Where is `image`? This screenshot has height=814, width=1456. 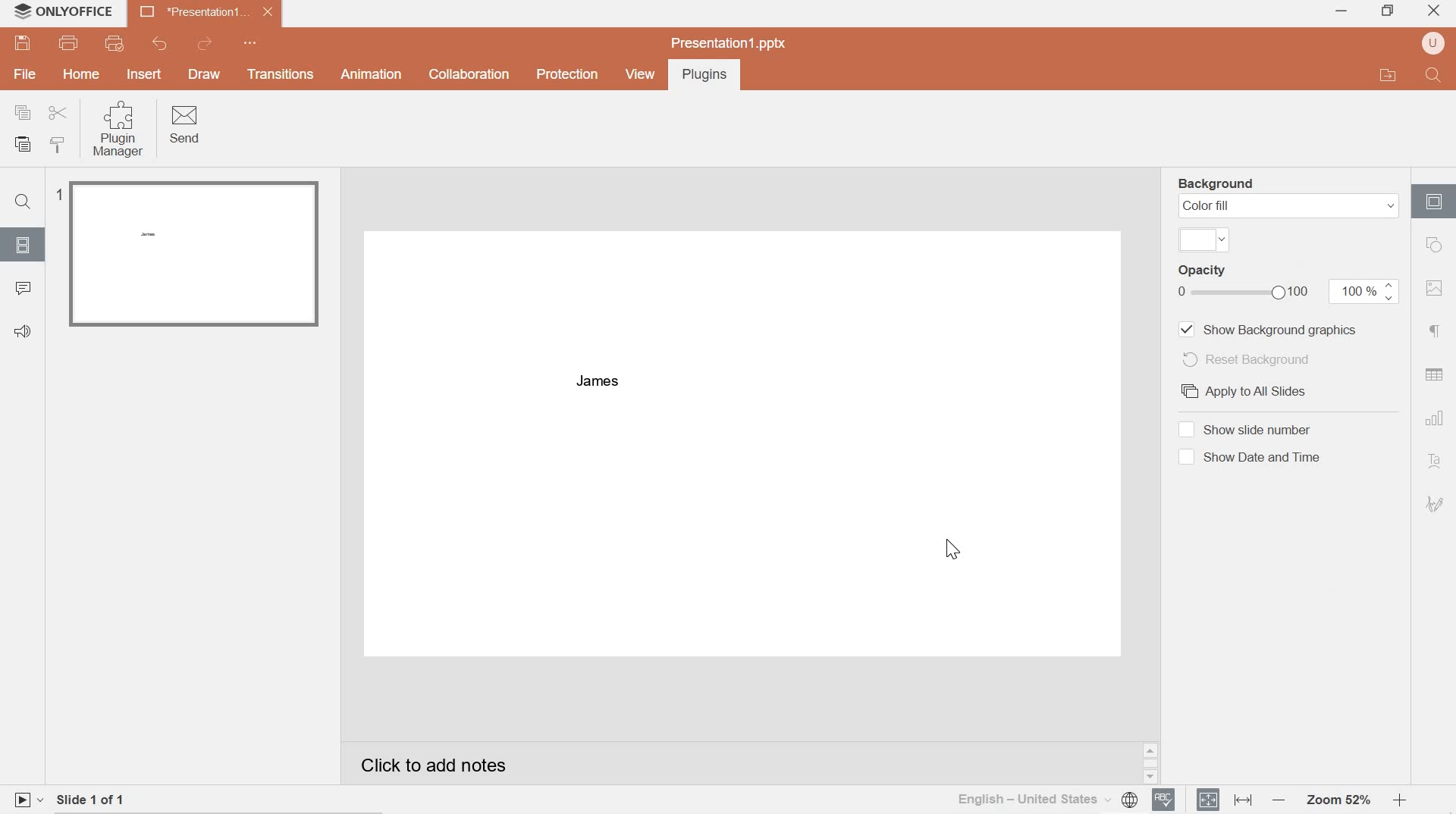
image is located at coordinates (1436, 290).